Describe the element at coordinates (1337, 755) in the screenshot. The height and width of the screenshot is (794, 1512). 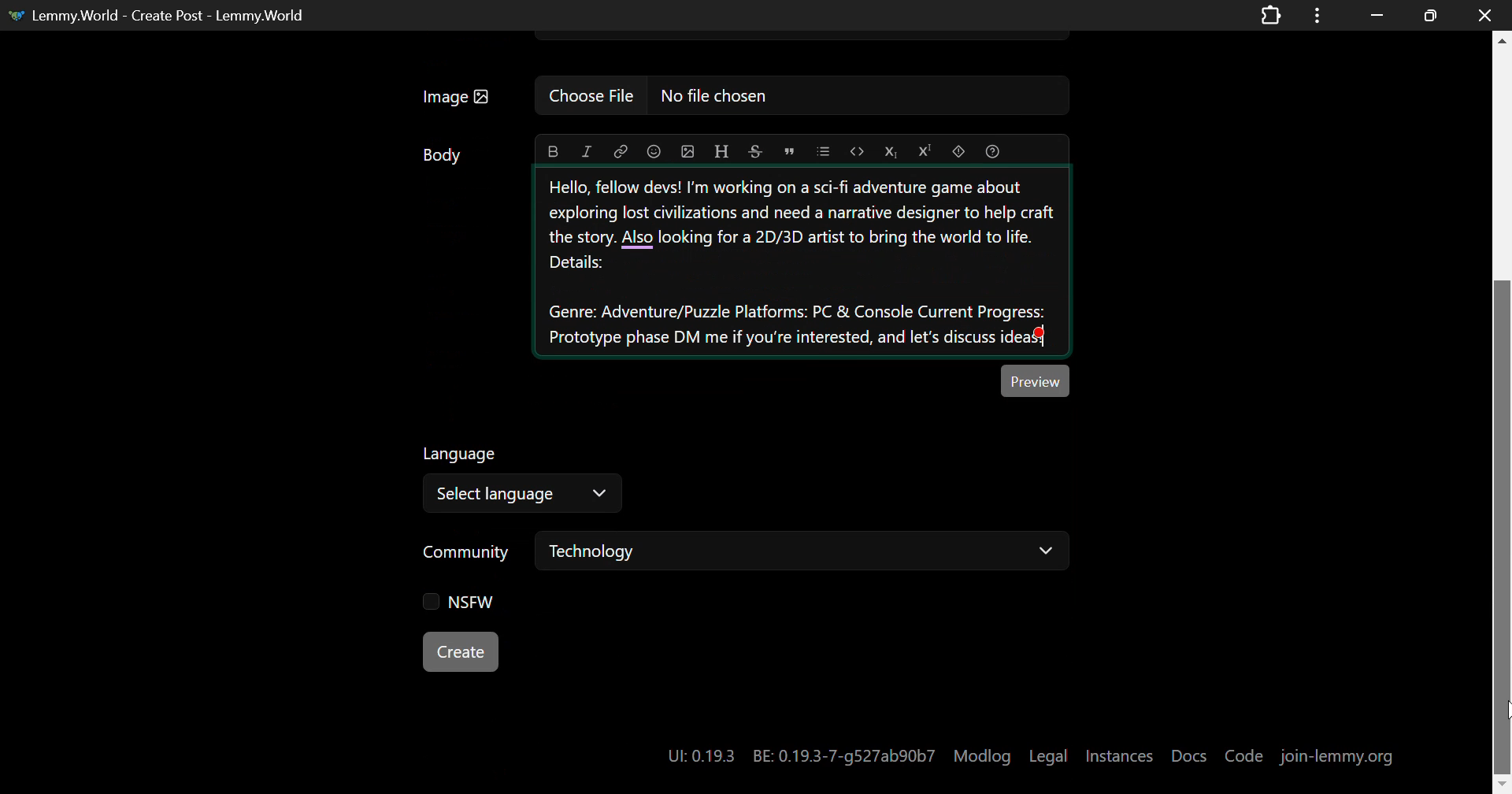
I see `join-lemmy.org` at that location.